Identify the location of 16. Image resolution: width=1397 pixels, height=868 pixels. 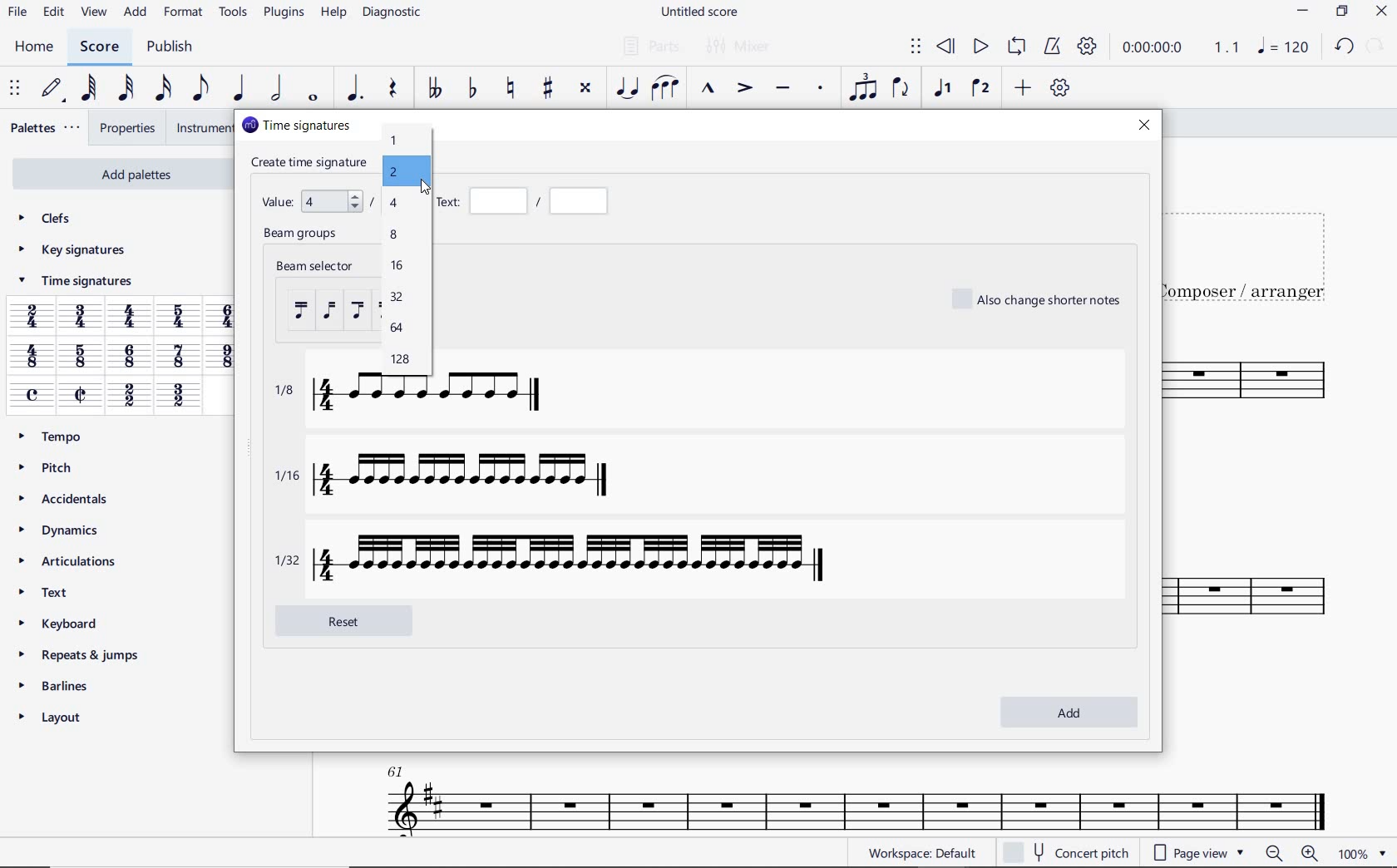
(397, 265).